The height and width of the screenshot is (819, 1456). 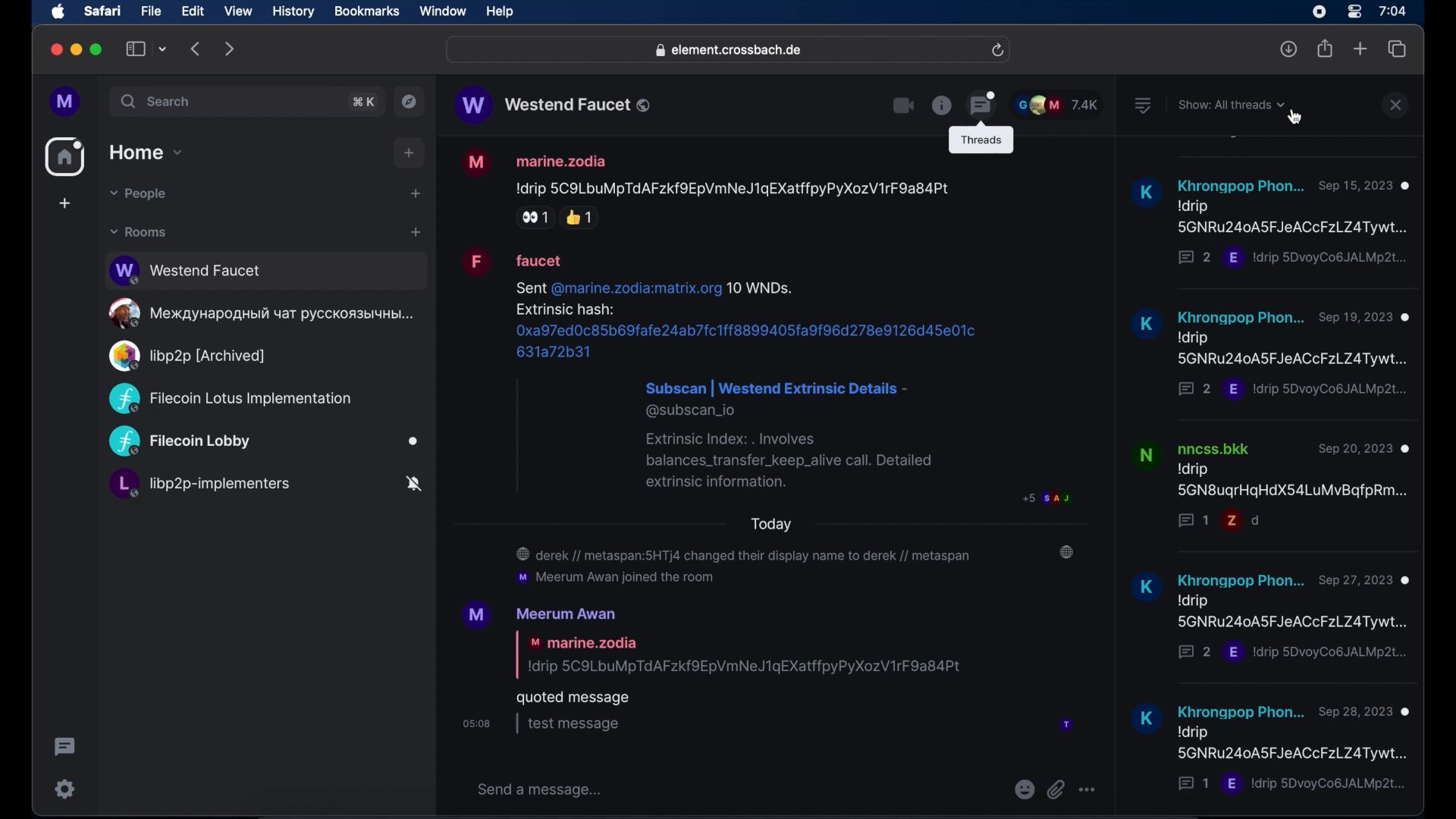 What do you see at coordinates (1148, 586) in the screenshot?
I see `K` at bounding box center [1148, 586].